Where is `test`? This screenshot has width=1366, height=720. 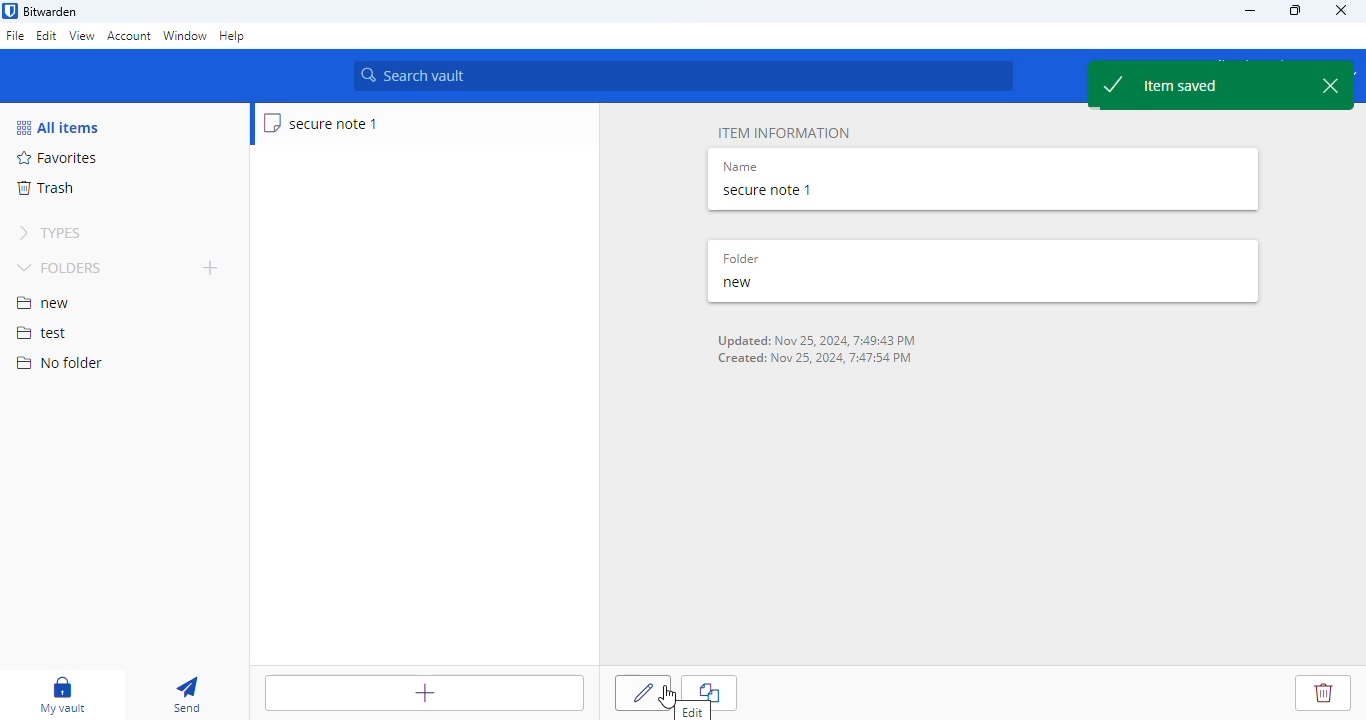 test is located at coordinates (42, 334).